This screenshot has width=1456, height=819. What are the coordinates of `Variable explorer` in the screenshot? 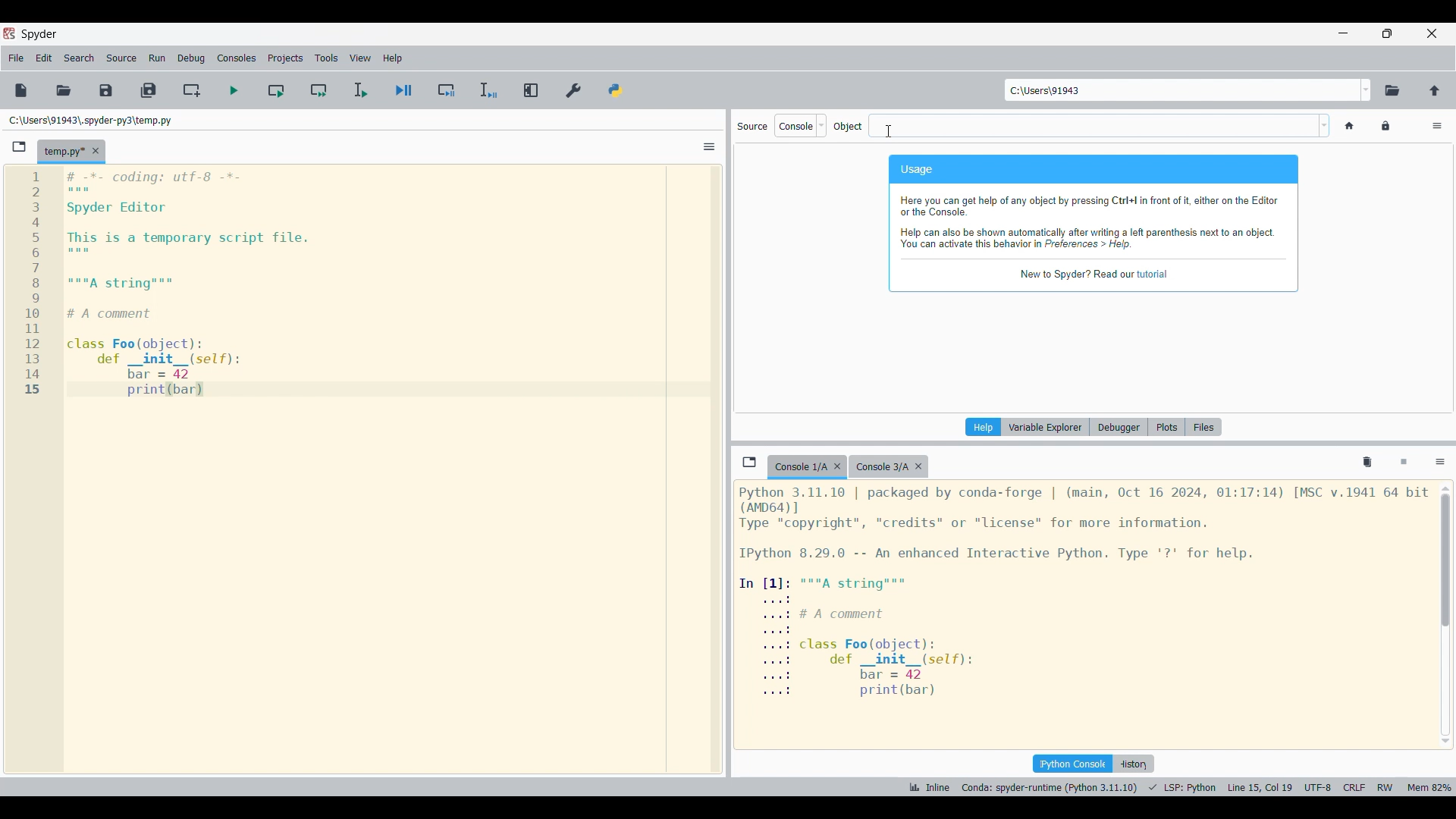 It's located at (1046, 427).